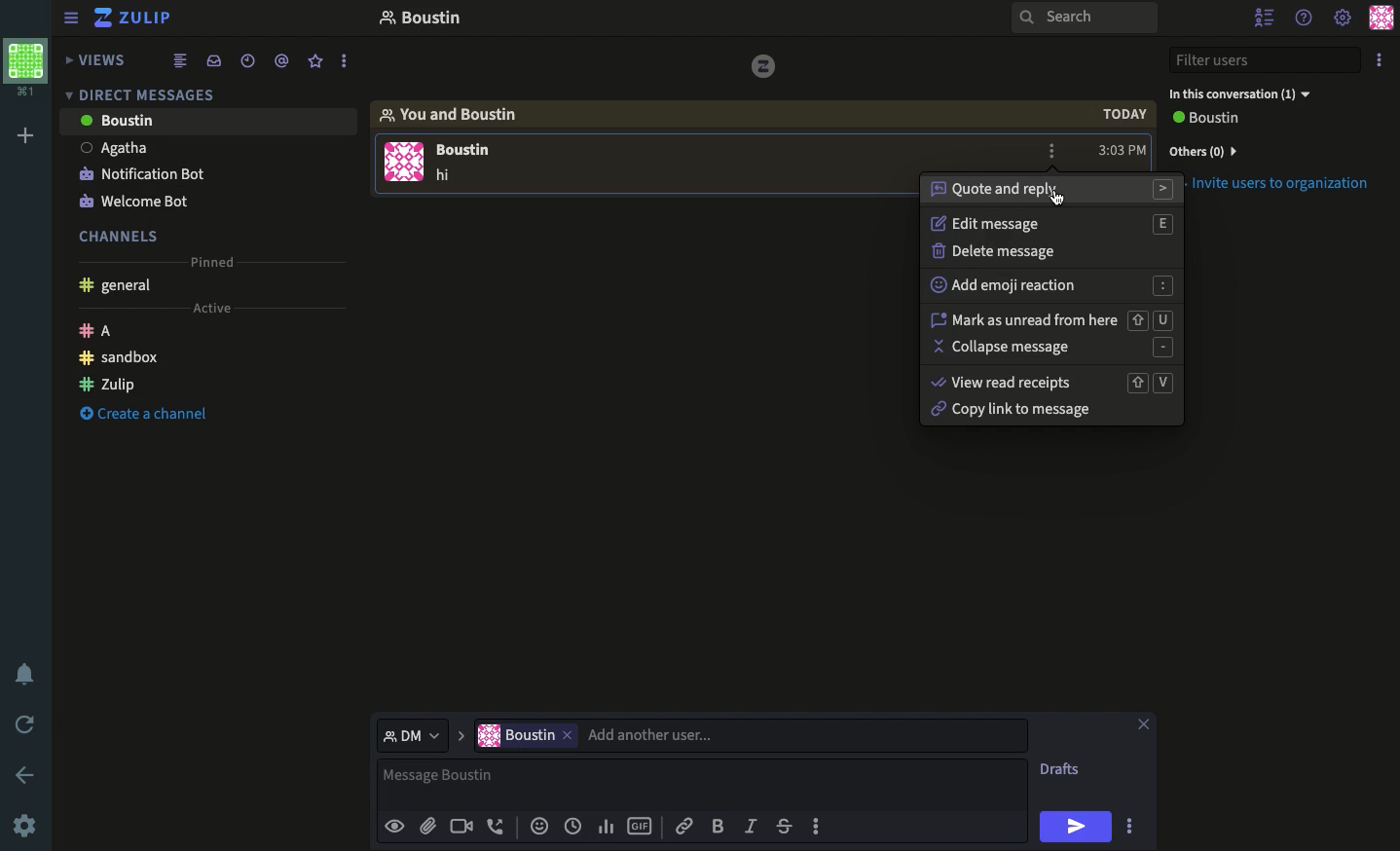  What do you see at coordinates (1062, 768) in the screenshot?
I see `Drafts` at bounding box center [1062, 768].